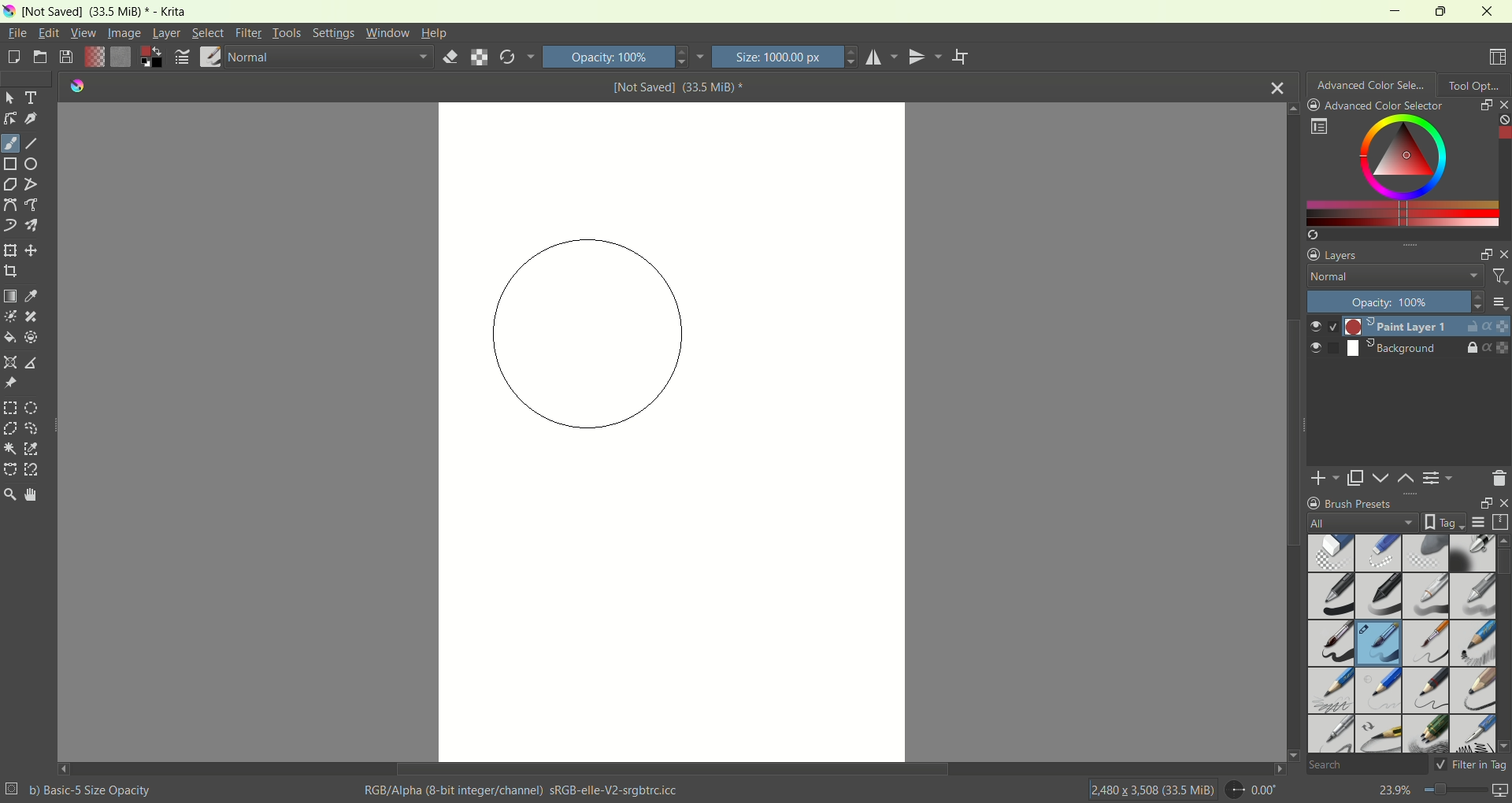 The height and width of the screenshot is (803, 1512). I want to click on sample a color, so click(31, 295).